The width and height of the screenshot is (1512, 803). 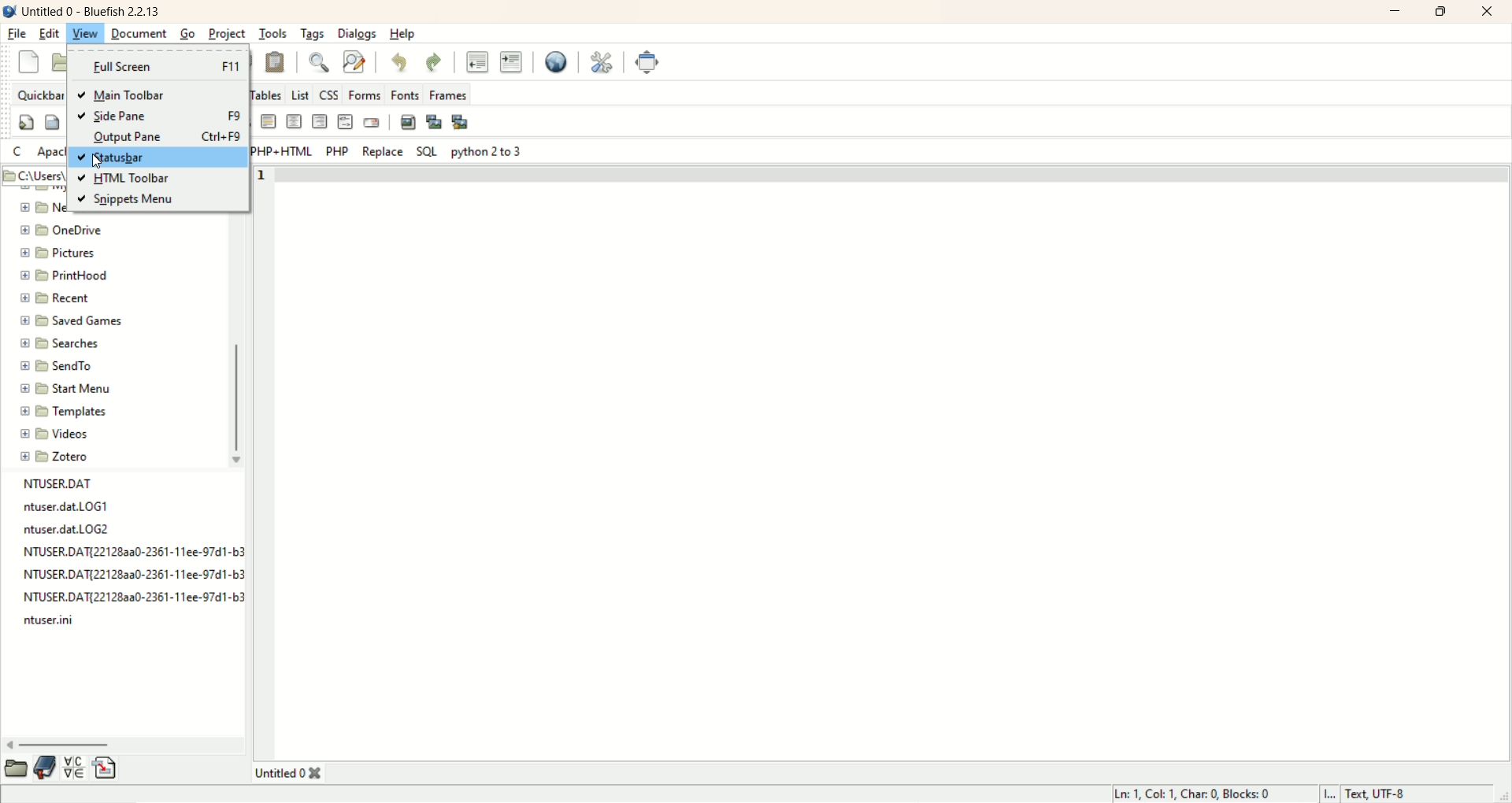 What do you see at coordinates (72, 509) in the screenshot?
I see `file` at bounding box center [72, 509].